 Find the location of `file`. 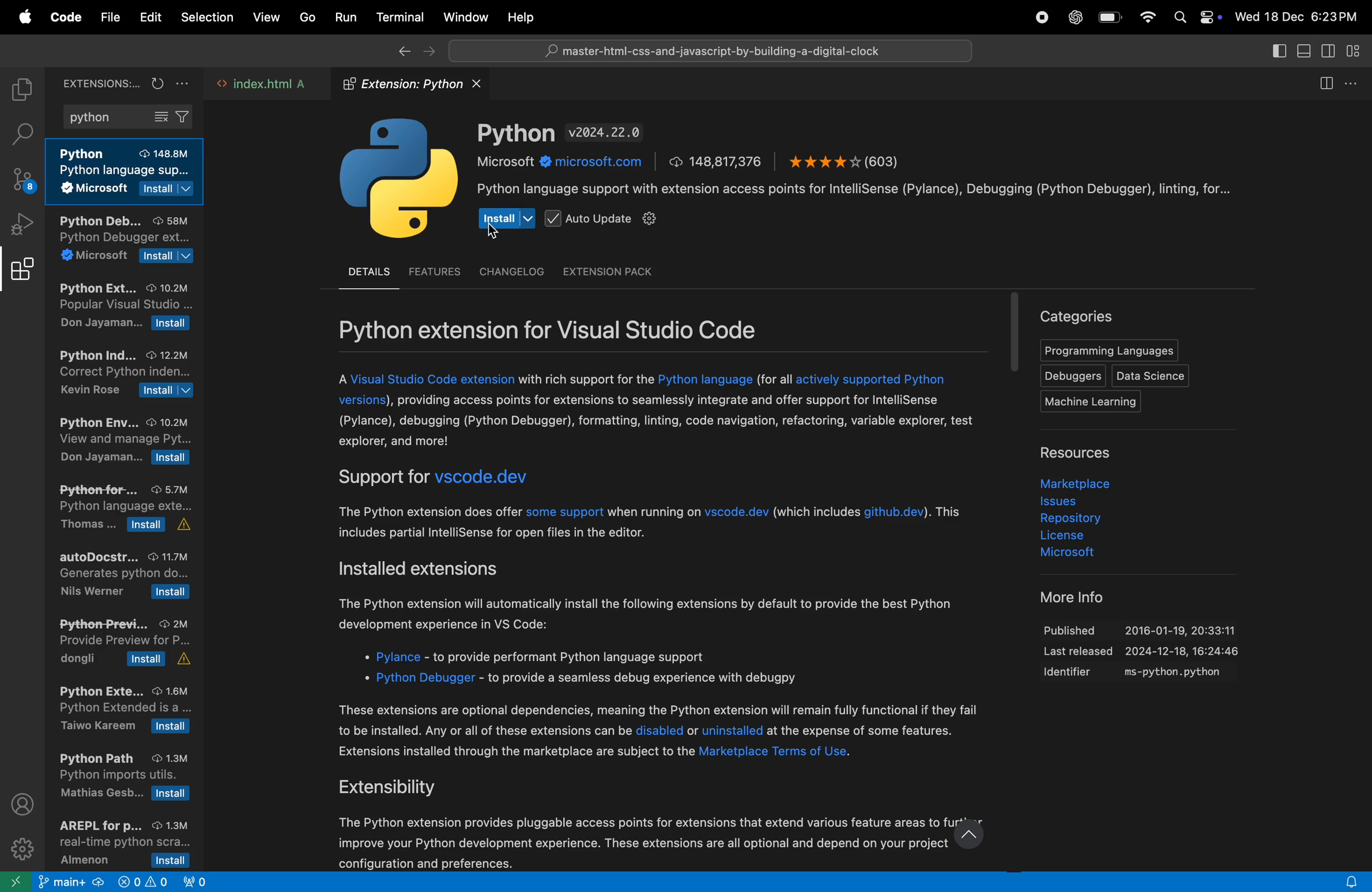

file is located at coordinates (111, 17).